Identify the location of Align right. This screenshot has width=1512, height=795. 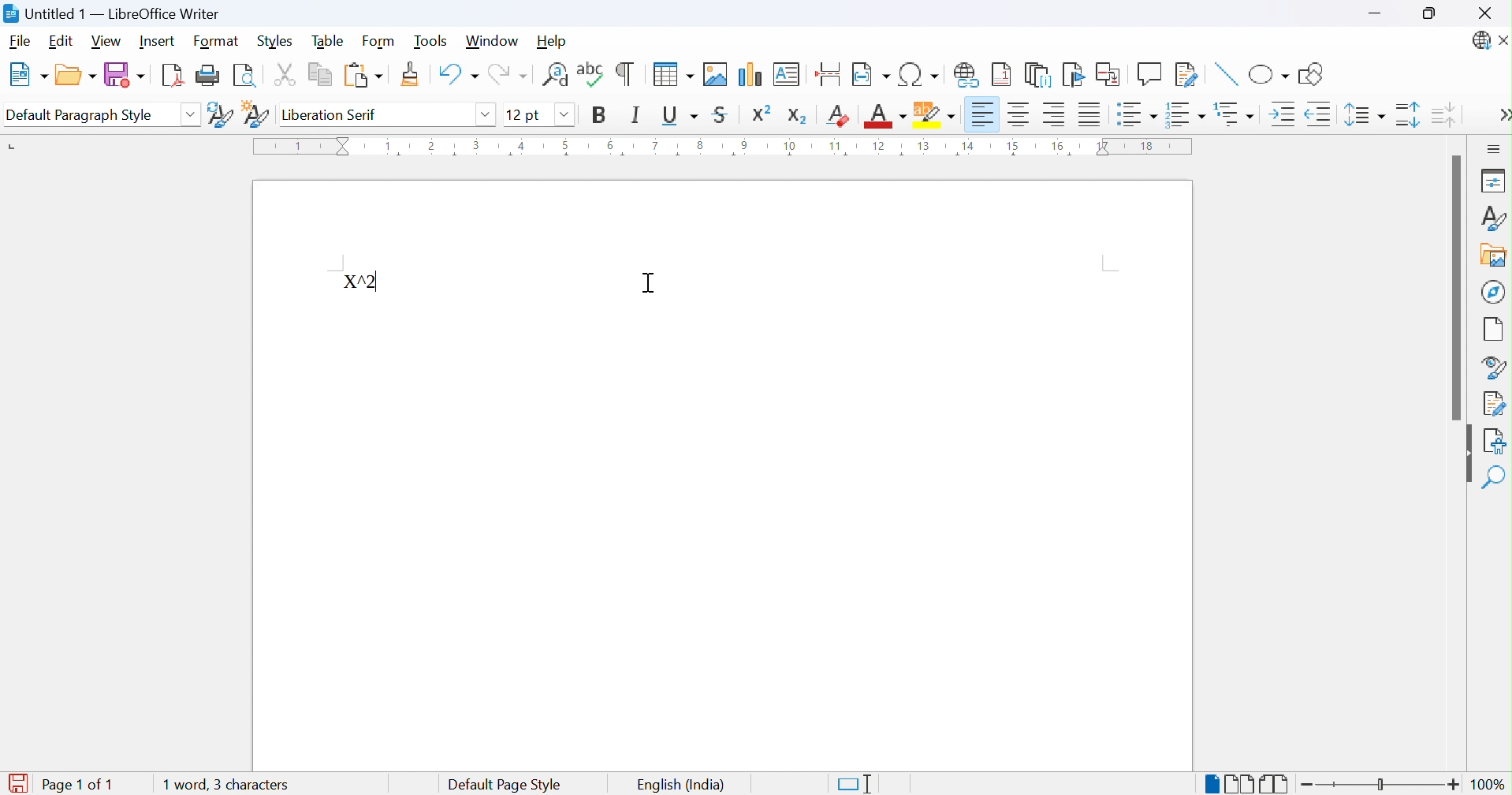
(1056, 117).